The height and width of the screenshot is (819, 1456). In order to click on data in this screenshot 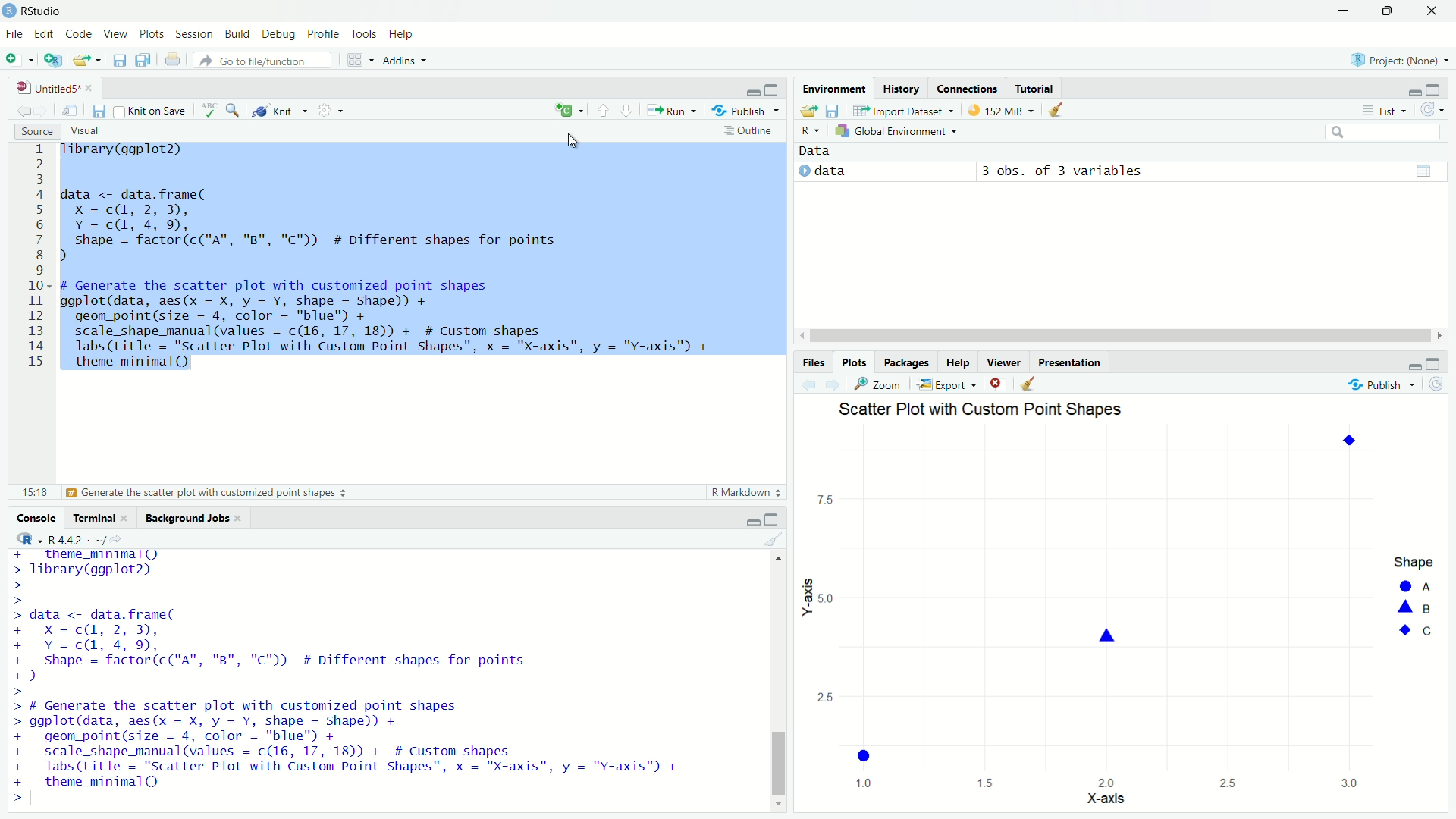, I will do `click(830, 171)`.